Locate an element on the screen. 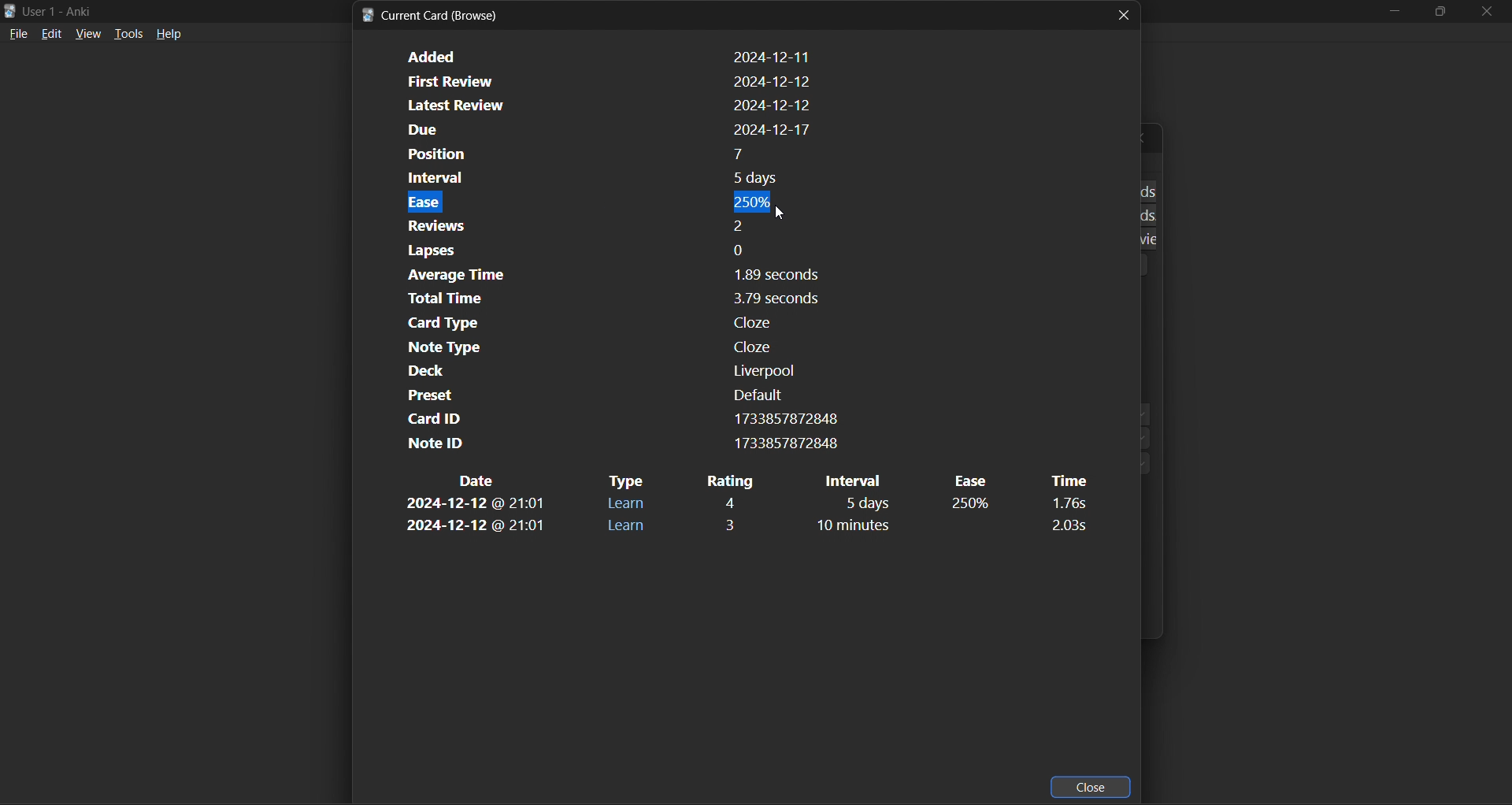 The height and width of the screenshot is (805, 1512). view is located at coordinates (88, 35).